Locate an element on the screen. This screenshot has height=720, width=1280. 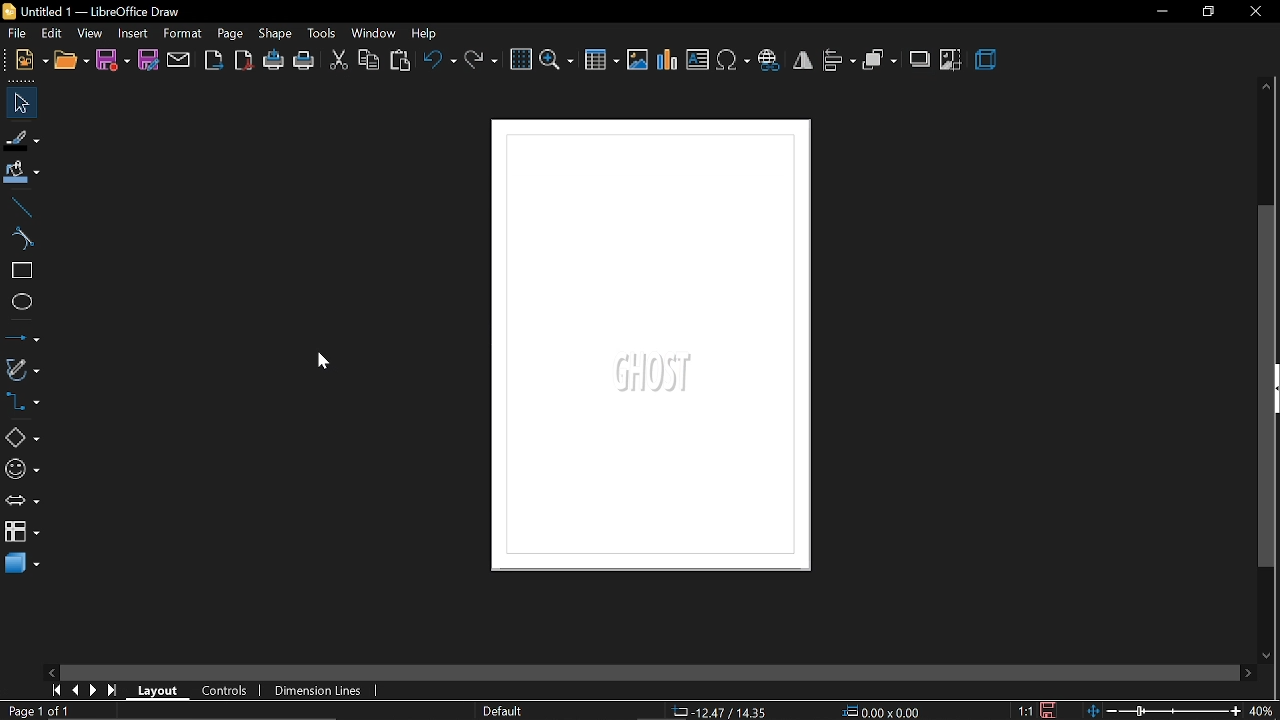
Page 1 of 1 is located at coordinates (38, 711).